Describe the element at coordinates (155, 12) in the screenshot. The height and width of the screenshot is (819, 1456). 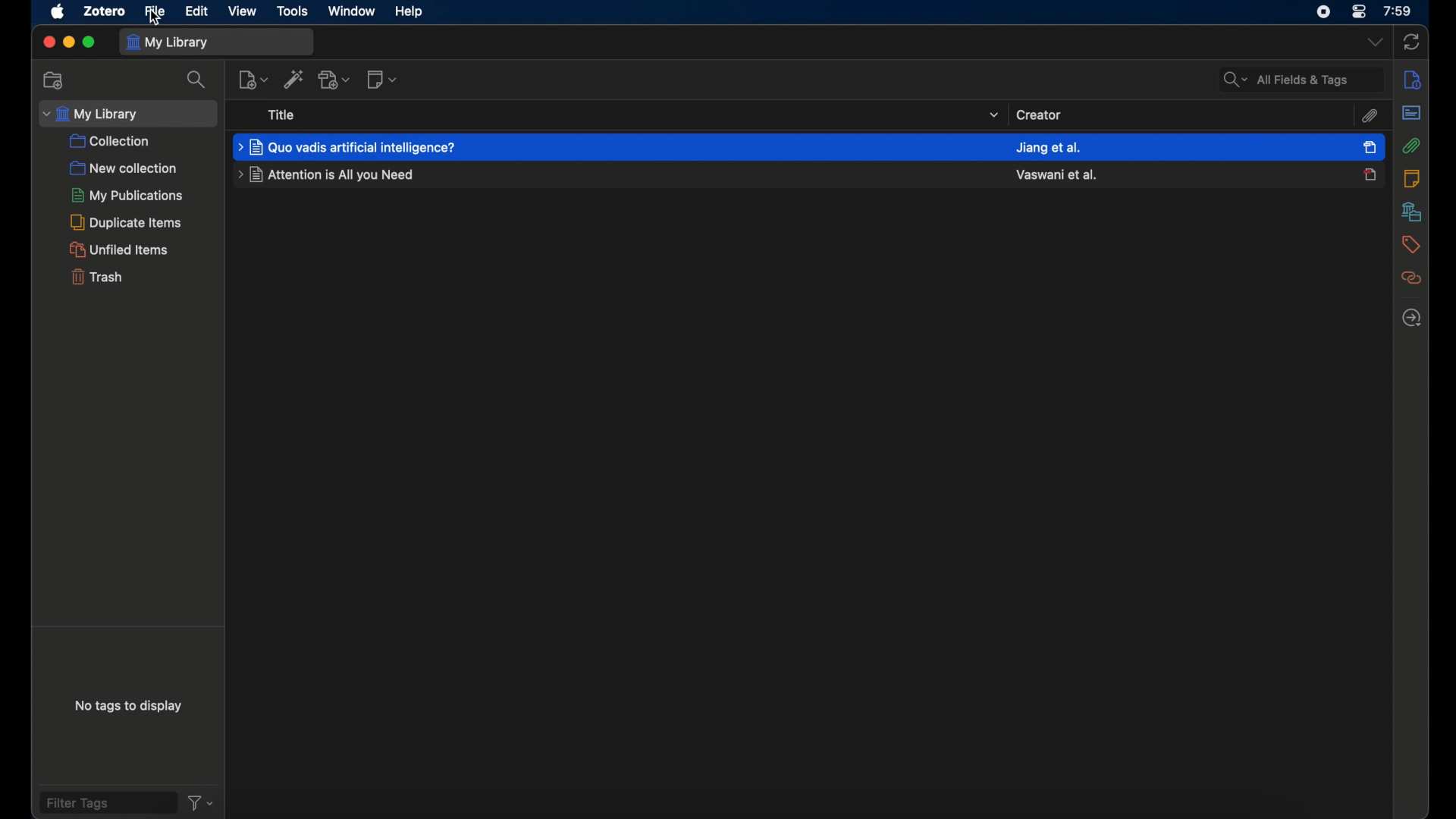
I see `file` at that location.